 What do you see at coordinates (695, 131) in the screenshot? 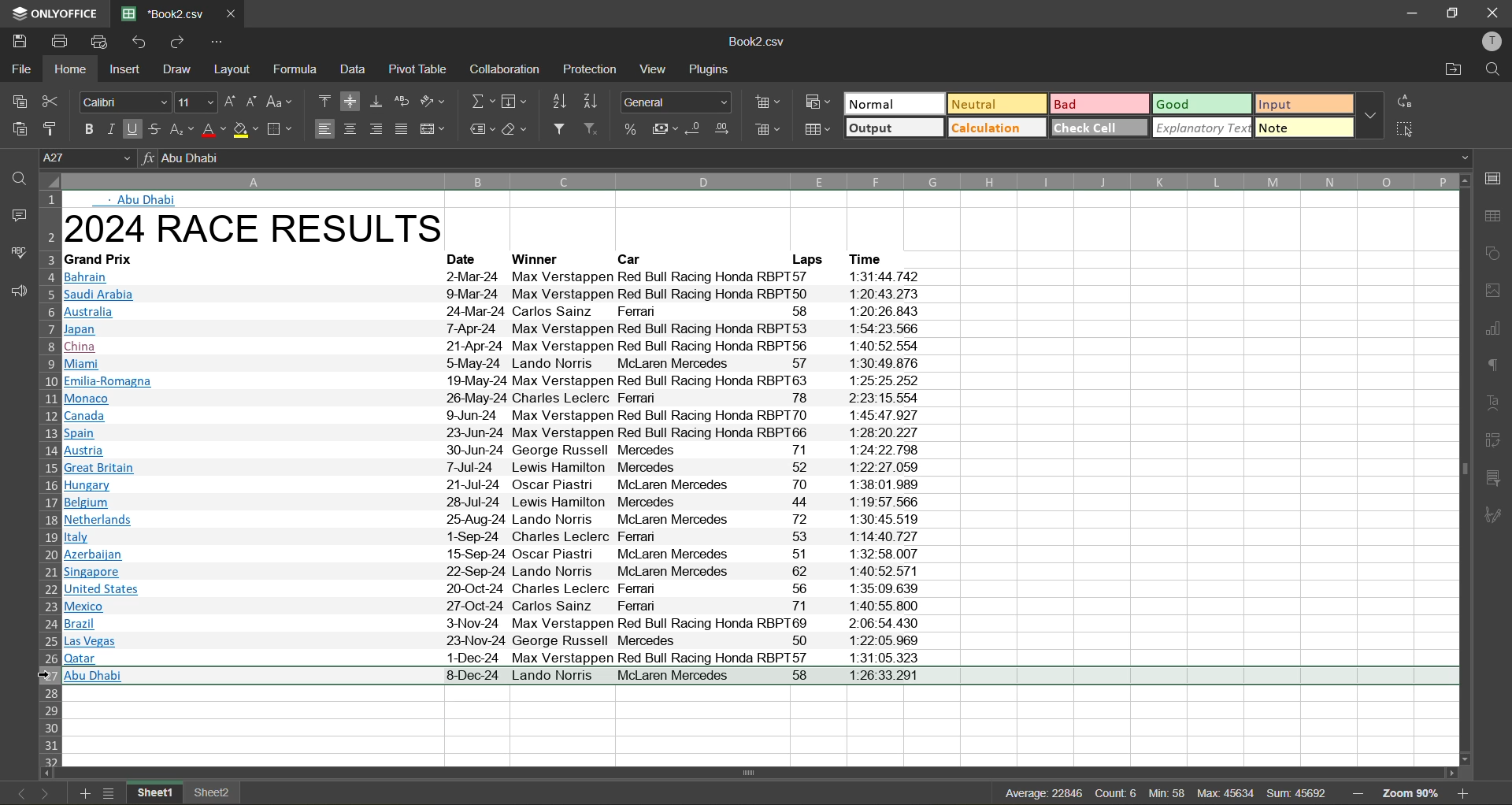
I see `decrease decimal` at bounding box center [695, 131].